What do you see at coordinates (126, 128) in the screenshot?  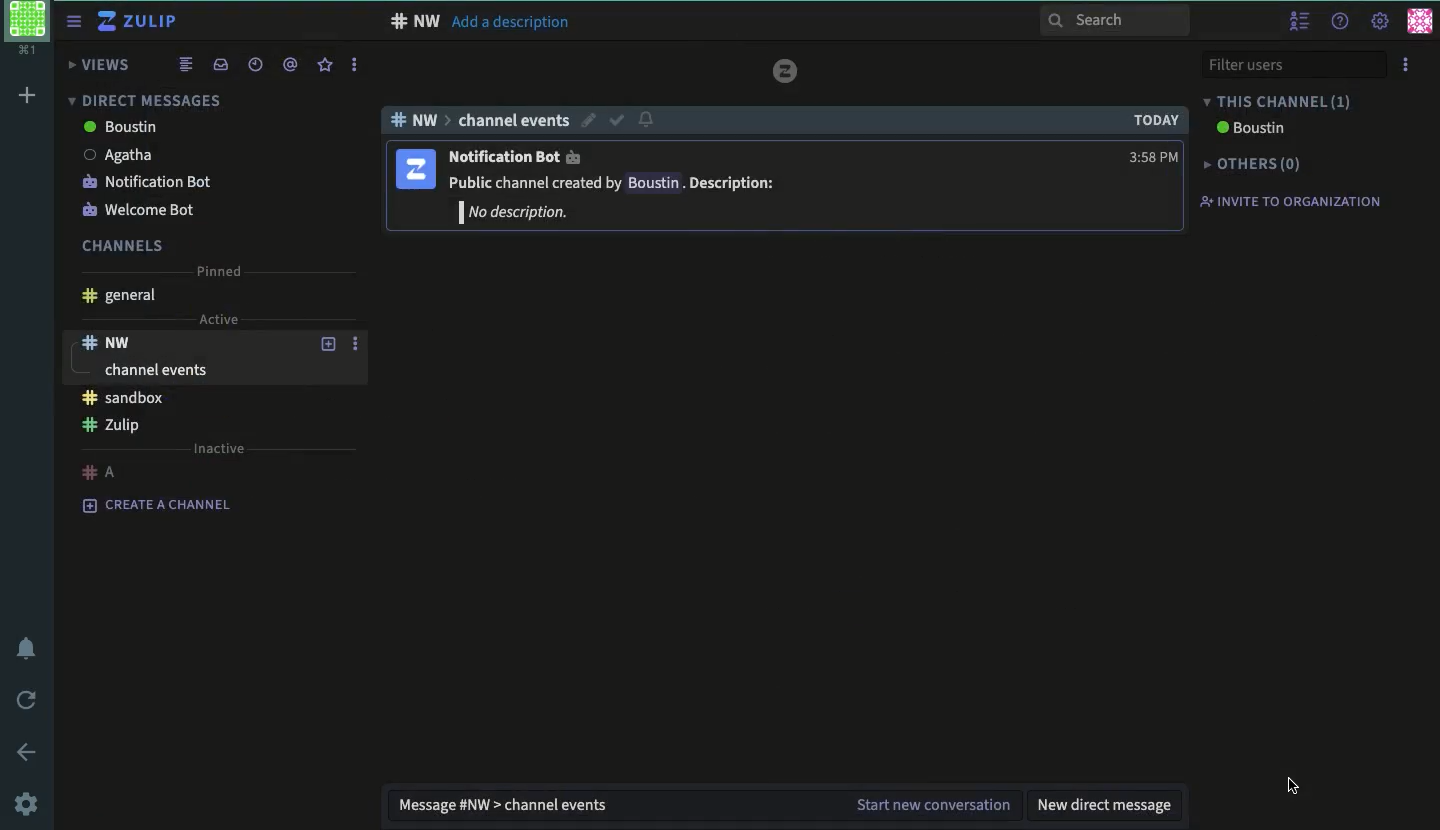 I see `boustin` at bounding box center [126, 128].